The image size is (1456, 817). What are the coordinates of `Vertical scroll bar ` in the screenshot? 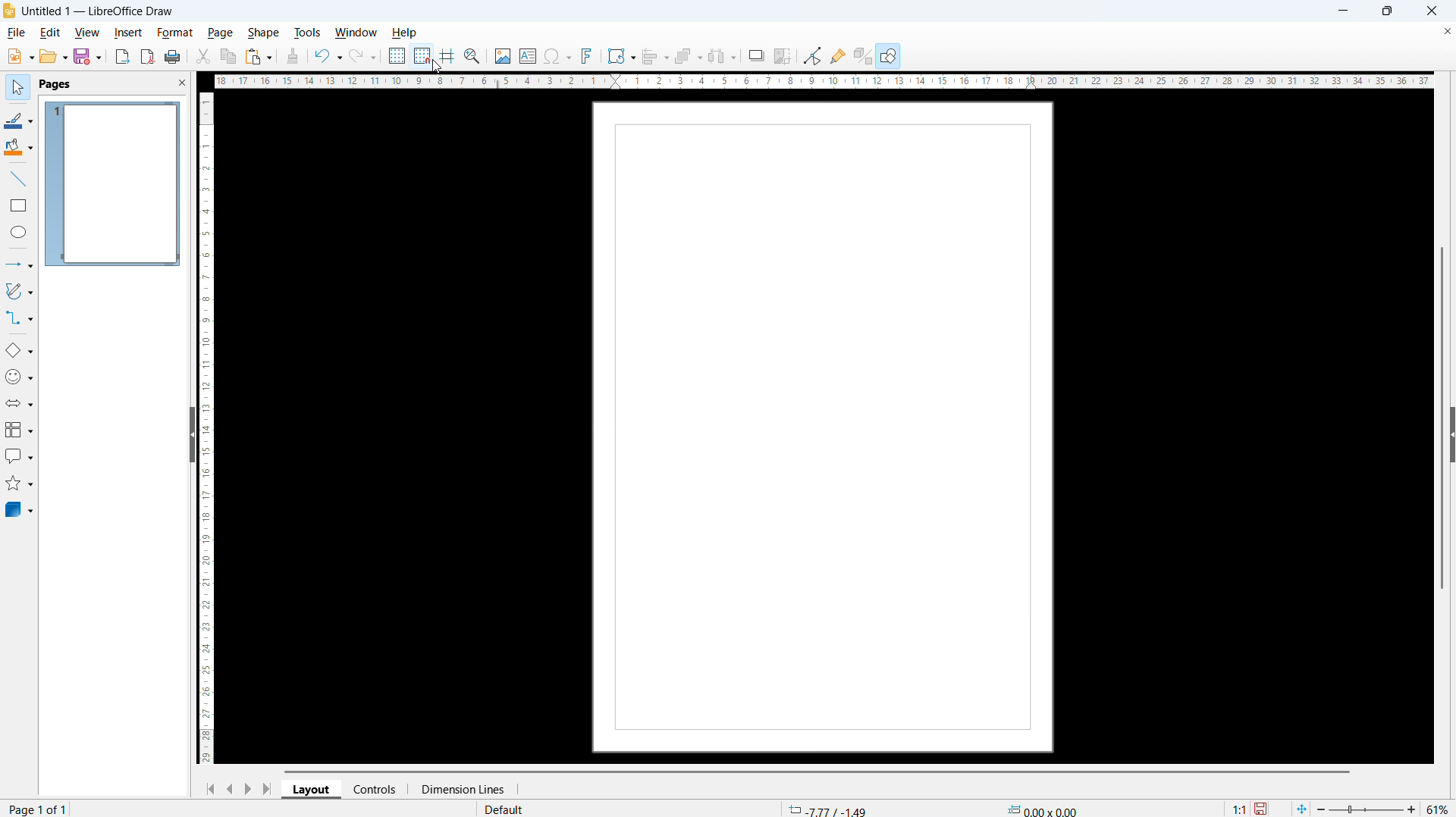 It's located at (1442, 418).